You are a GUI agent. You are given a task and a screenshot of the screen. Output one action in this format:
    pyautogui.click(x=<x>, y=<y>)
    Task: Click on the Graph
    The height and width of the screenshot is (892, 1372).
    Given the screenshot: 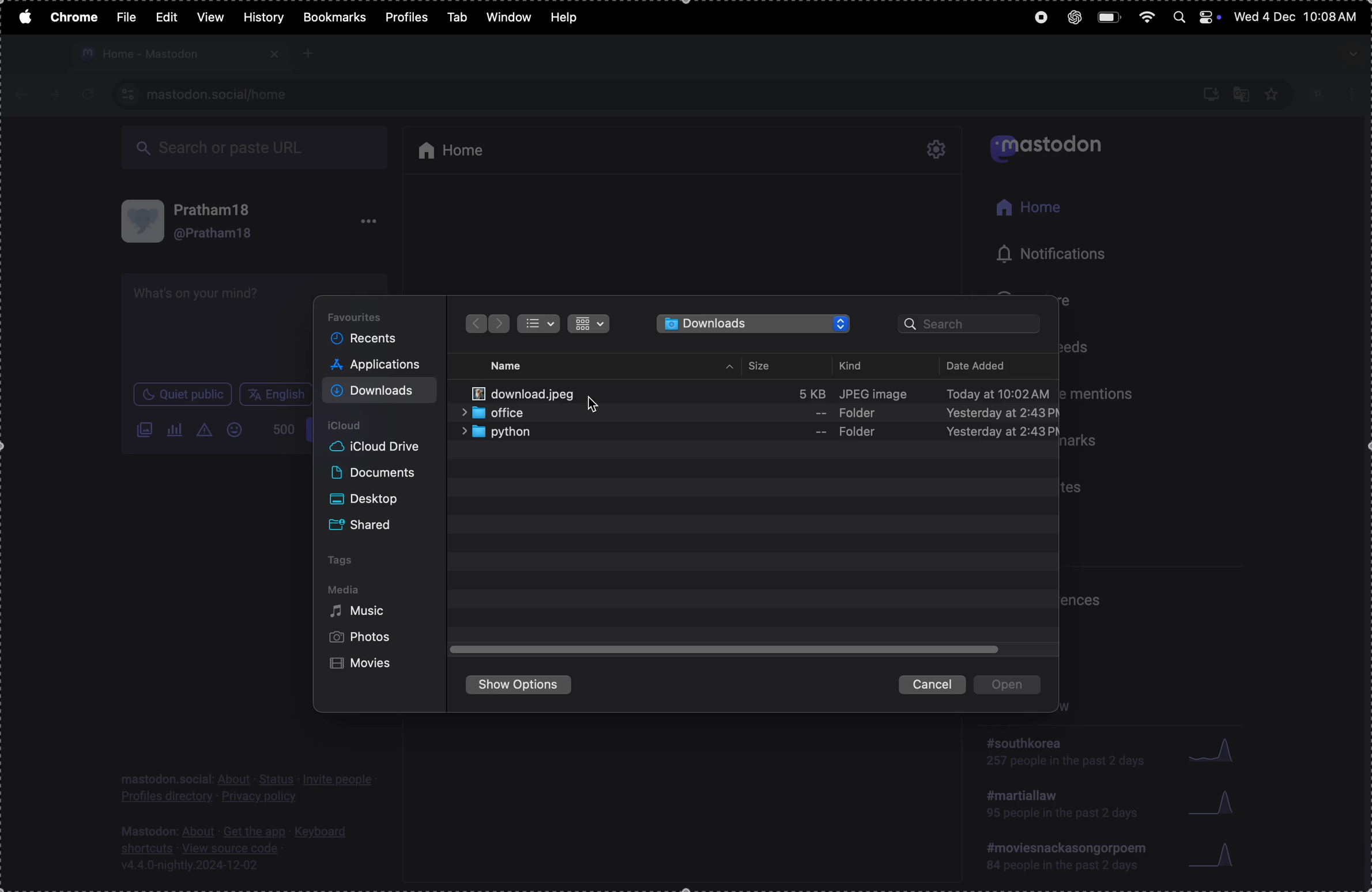 What is the action you would take?
    pyautogui.click(x=1213, y=750)
    